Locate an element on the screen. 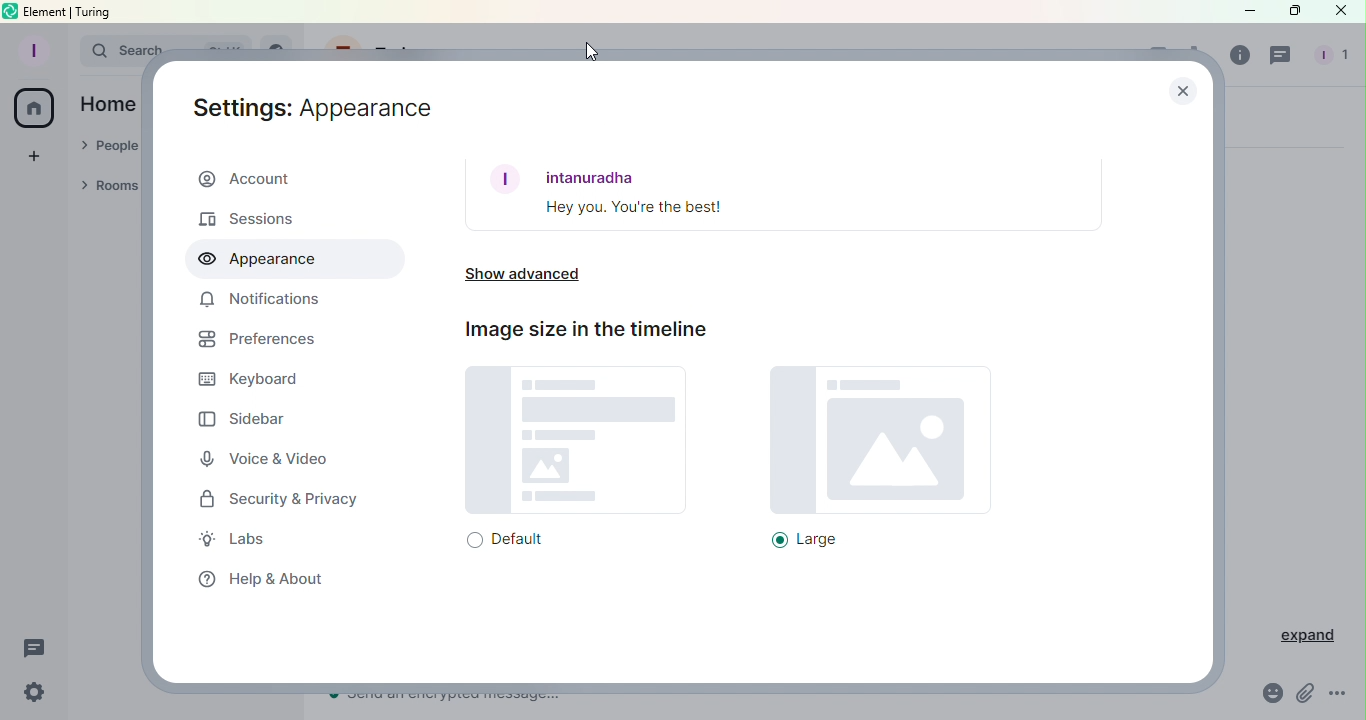 The image size is (1366, 720). Scroll bar is located at coordinates (1209, 406).